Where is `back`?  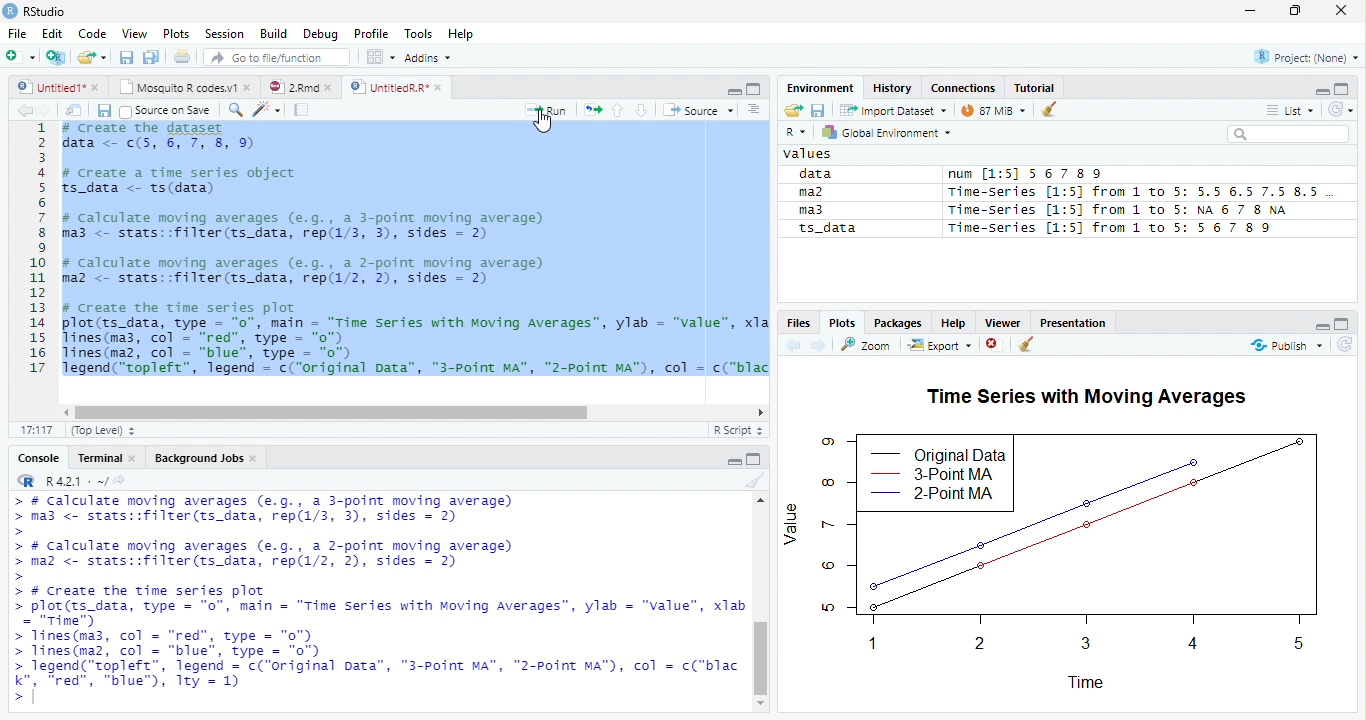
back is located at coordinates (24, 110).